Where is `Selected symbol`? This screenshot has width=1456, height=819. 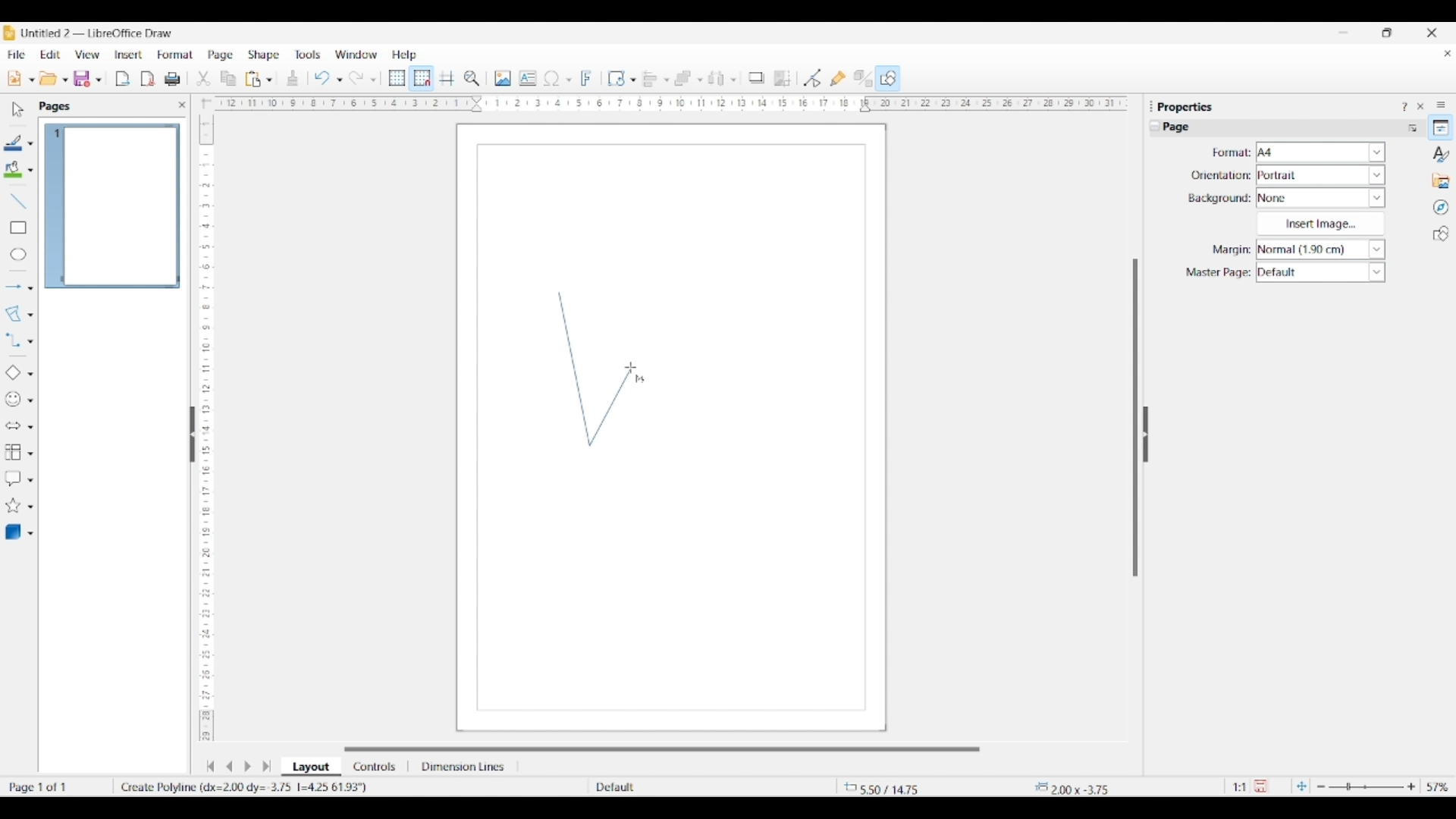 Selected symbol is located at coordinates (14, 400).